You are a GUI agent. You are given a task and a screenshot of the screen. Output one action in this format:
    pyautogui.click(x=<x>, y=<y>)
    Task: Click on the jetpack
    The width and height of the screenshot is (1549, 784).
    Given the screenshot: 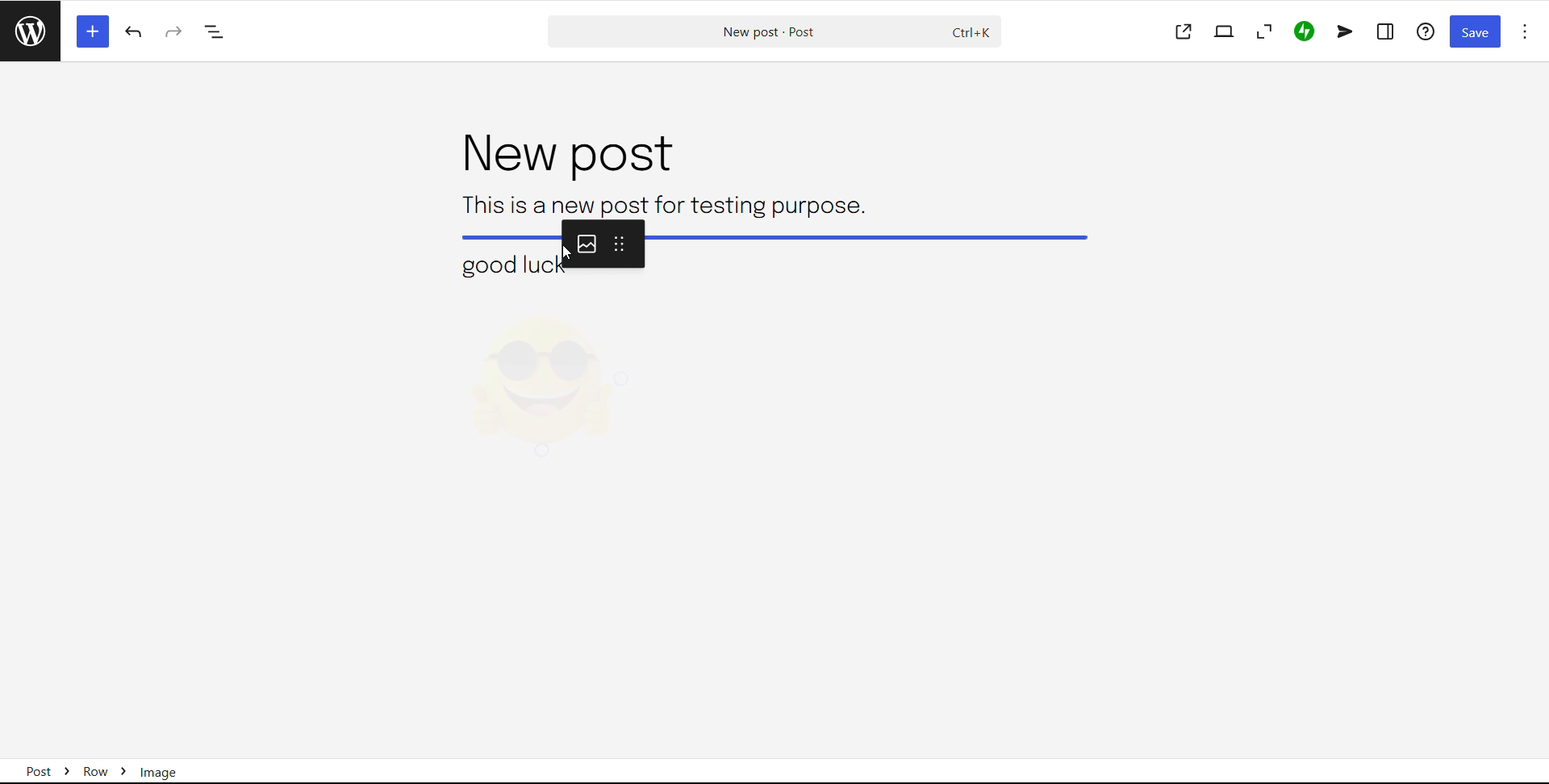 What is the action you would take?
    pyautogui.click(x=1304, y=32)
    